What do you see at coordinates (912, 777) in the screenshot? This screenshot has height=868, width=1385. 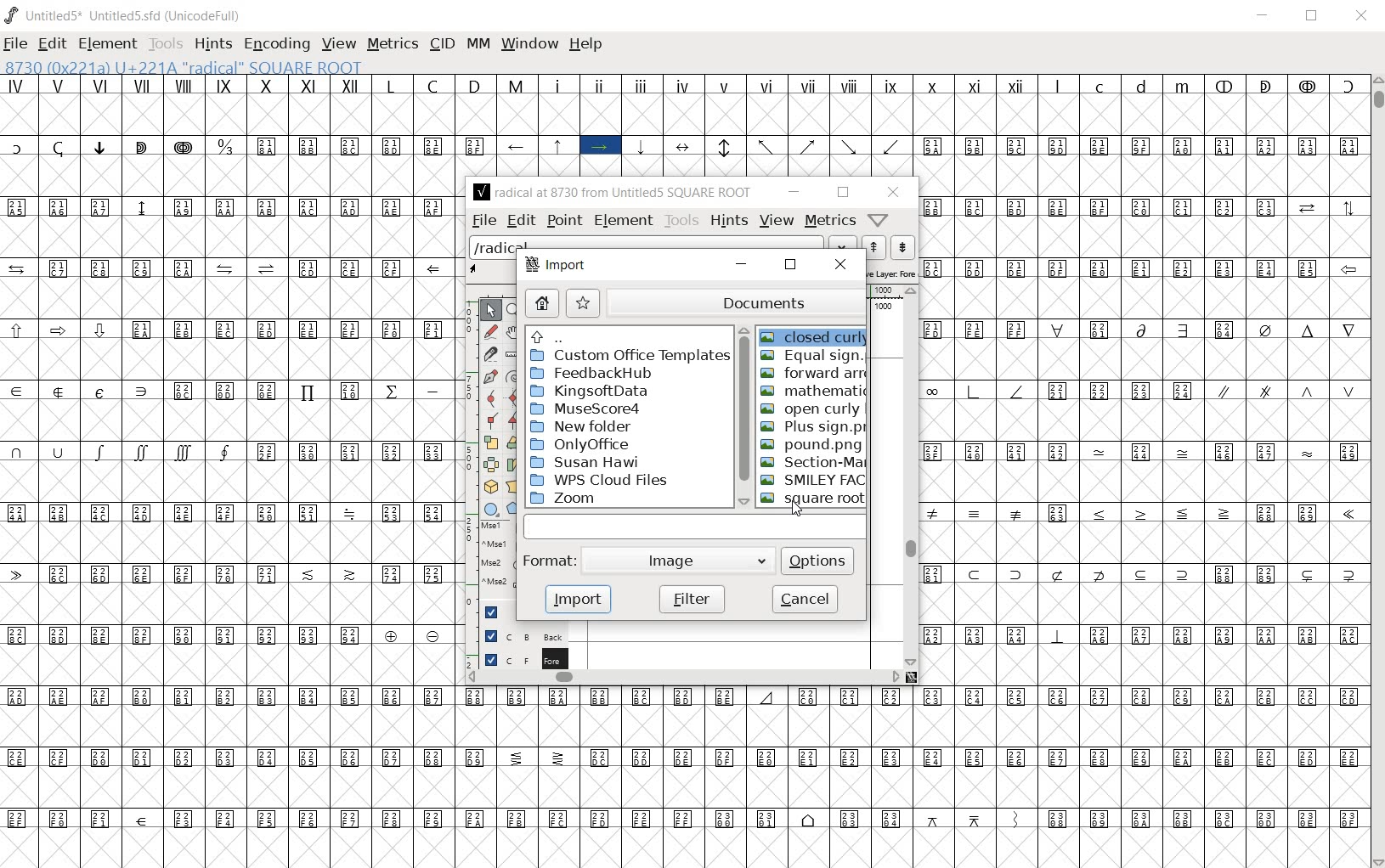 I see `Glyph characters` at bounding box center [912, 777].